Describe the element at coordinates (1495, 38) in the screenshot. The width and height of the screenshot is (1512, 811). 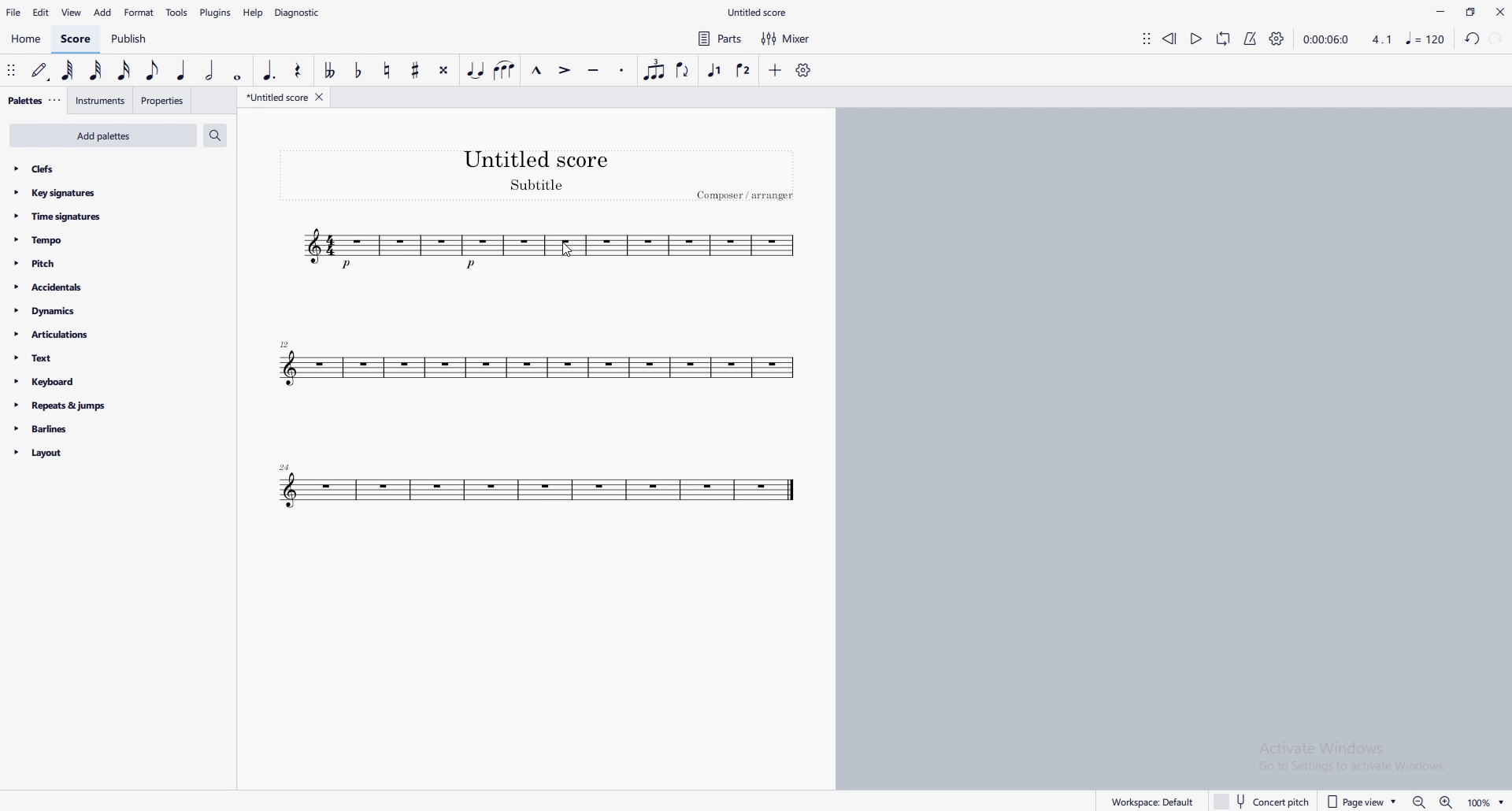
I see `redo` at that location.